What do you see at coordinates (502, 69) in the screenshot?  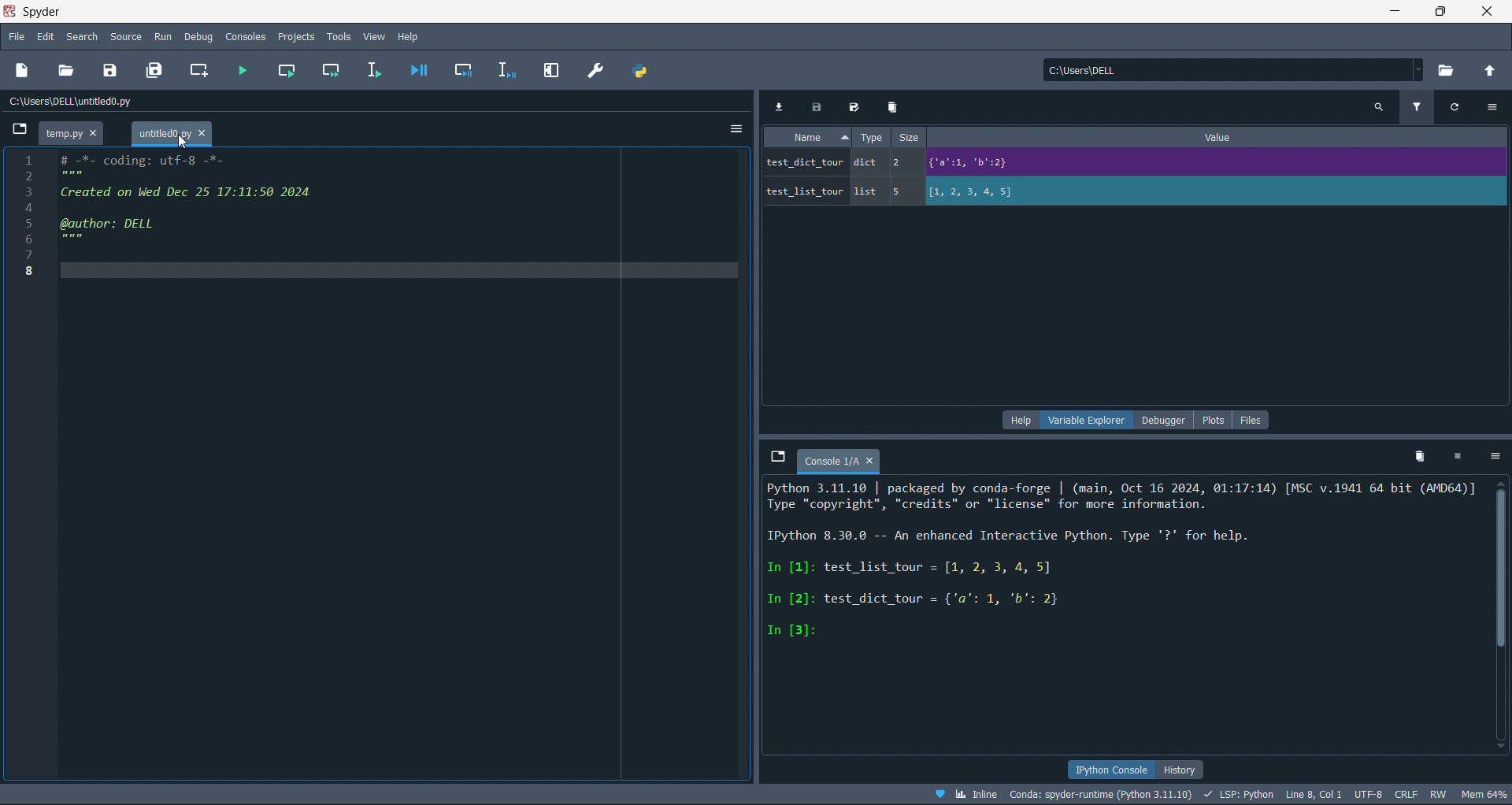 I see `debug line` at bounding box center [502, 69].